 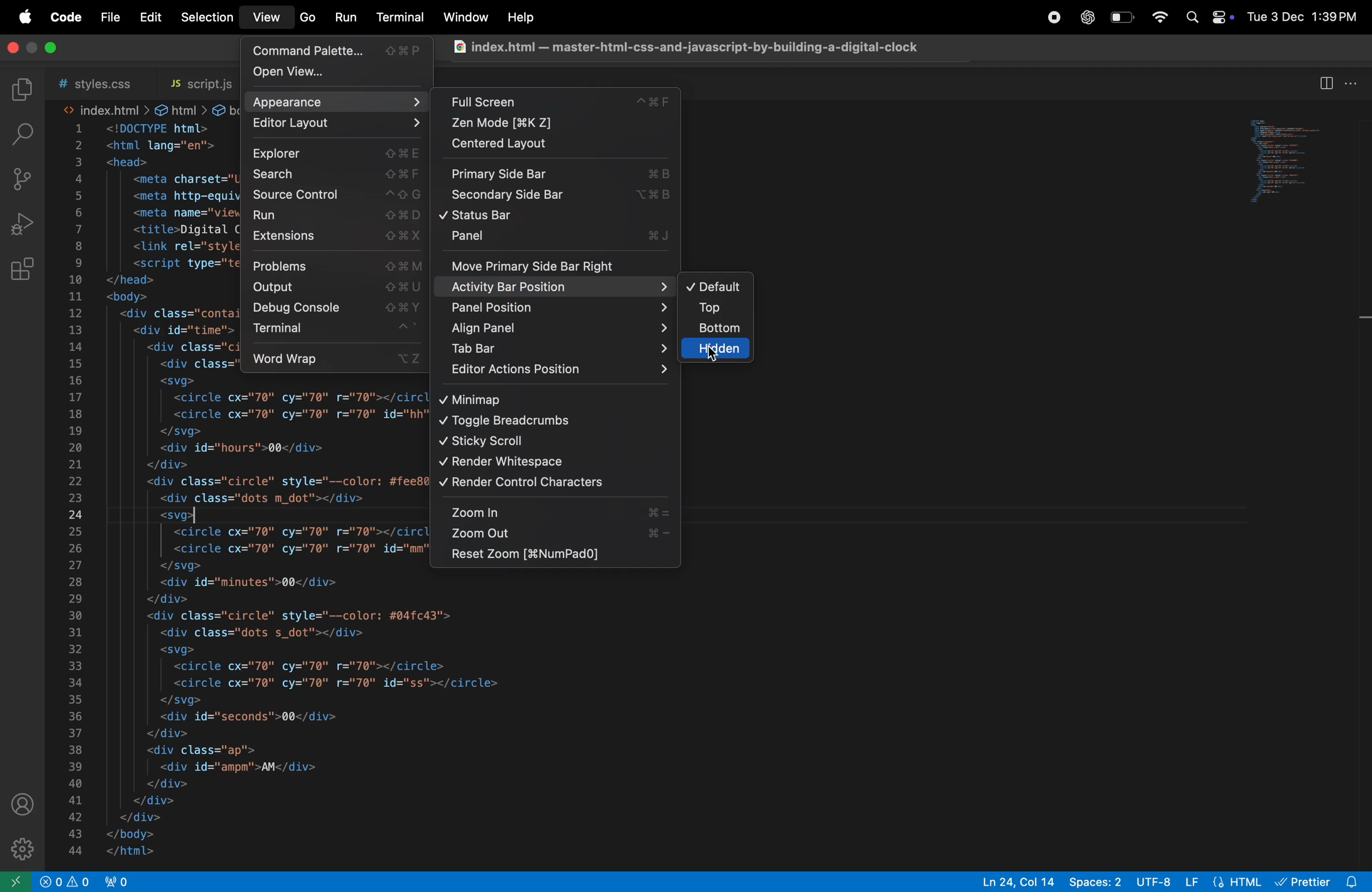 I want to click on toggle bread crumbs, so click(x=545, y=421).